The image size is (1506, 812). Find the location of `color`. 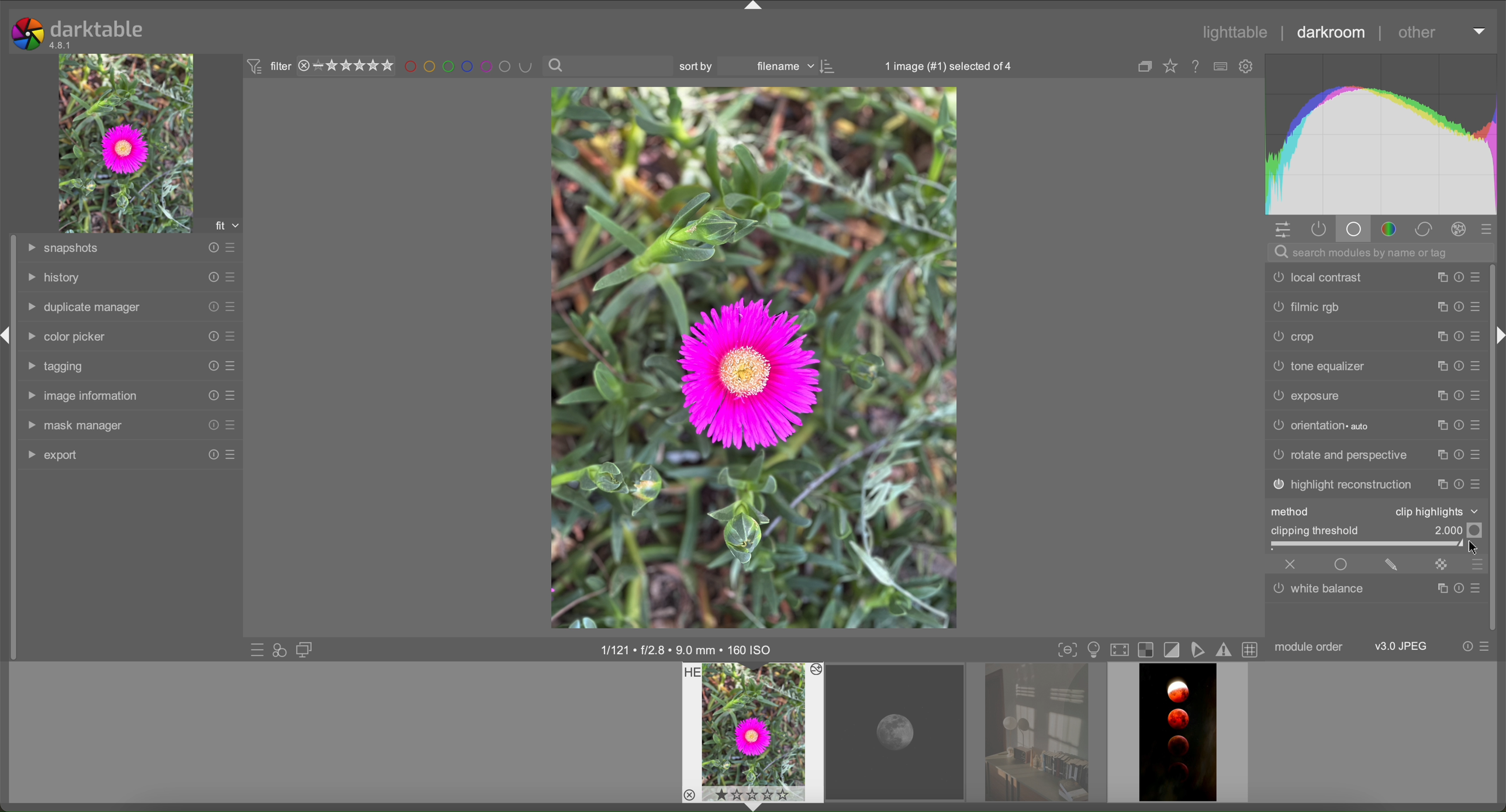

color is located at coordinates (1387, 229).